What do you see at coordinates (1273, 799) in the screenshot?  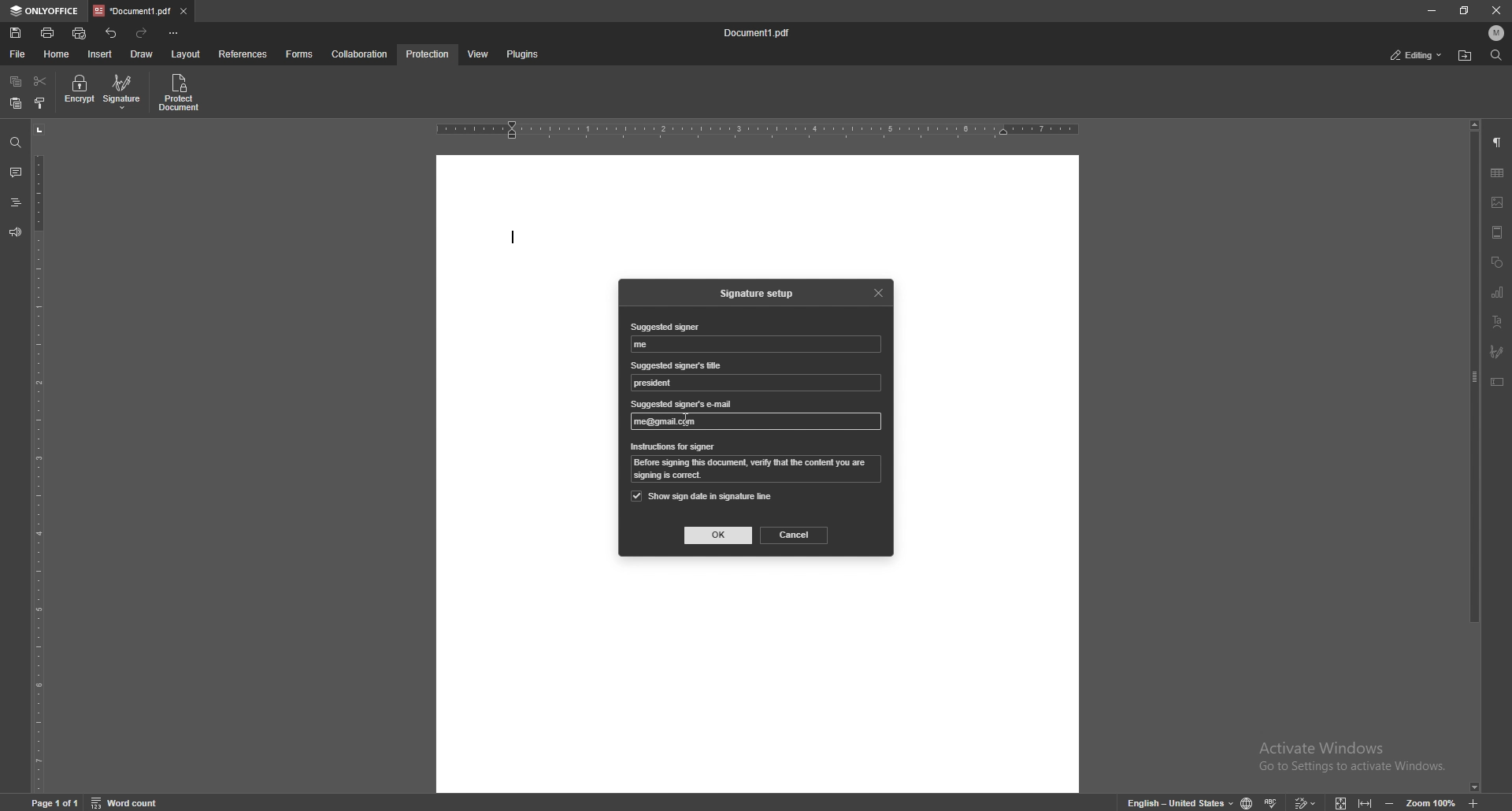 I see `spell check` at bounding box center [1273, 799].